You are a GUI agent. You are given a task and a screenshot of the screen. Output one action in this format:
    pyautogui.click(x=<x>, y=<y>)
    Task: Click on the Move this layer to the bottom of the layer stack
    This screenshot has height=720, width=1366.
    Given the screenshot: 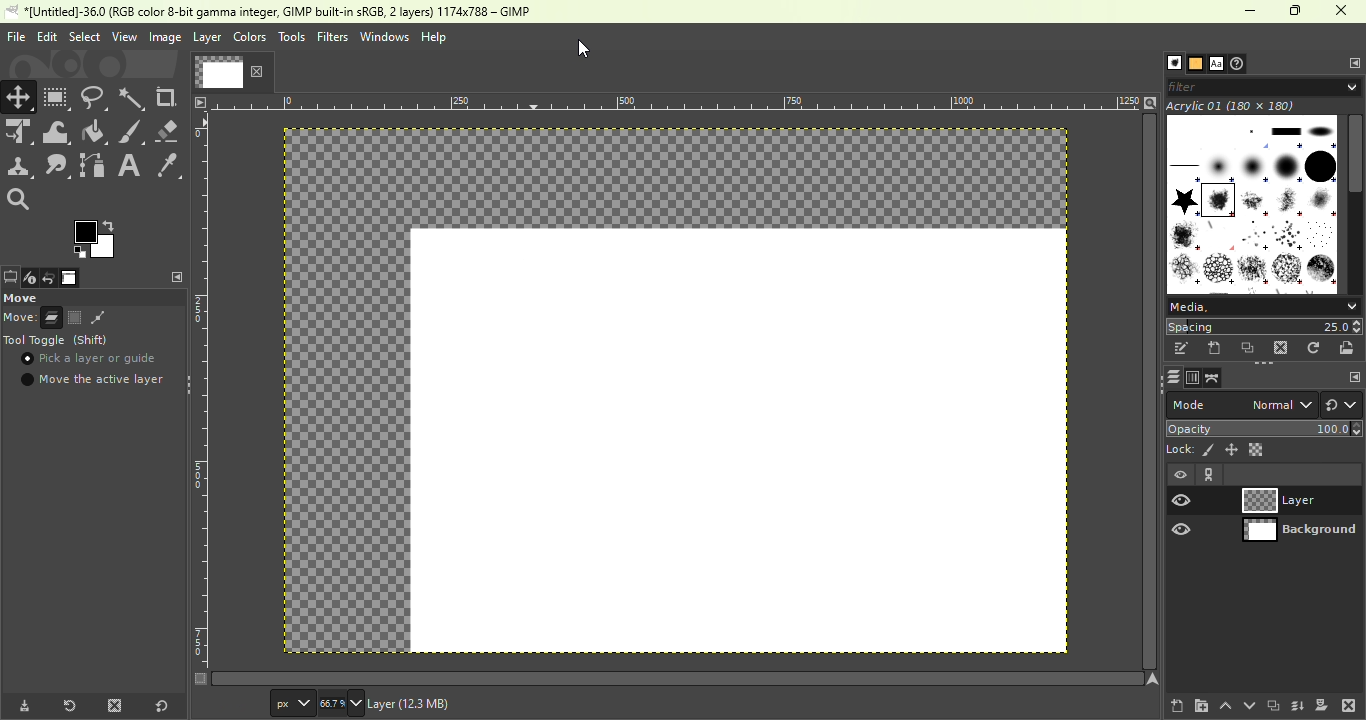 What is the action you would take?
    pyautogui.click(x=1247, y=705)
    